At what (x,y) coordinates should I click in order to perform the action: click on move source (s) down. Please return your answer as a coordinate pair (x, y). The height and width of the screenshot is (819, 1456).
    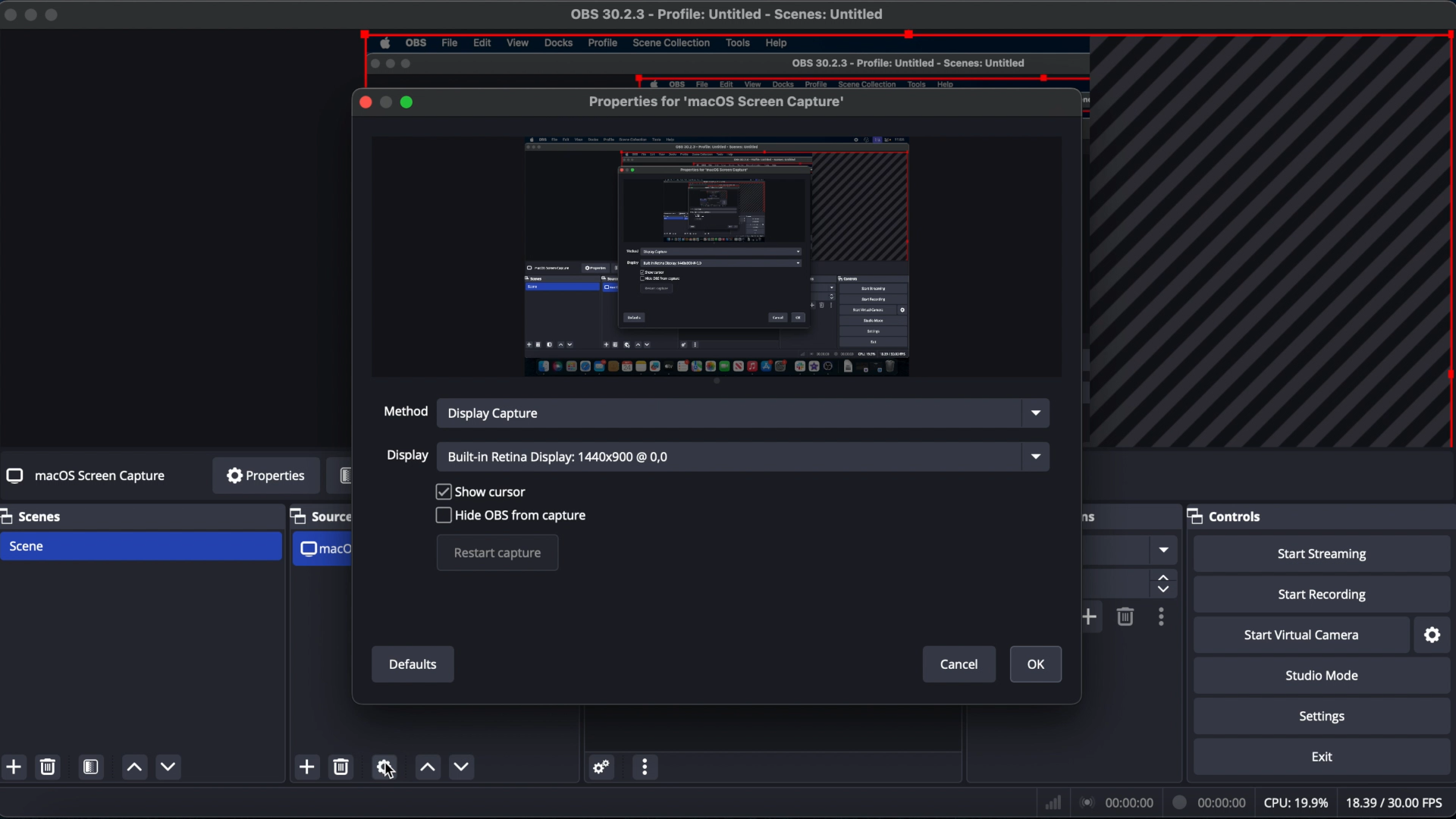
    Looking at the image, I should click on (428, 767).